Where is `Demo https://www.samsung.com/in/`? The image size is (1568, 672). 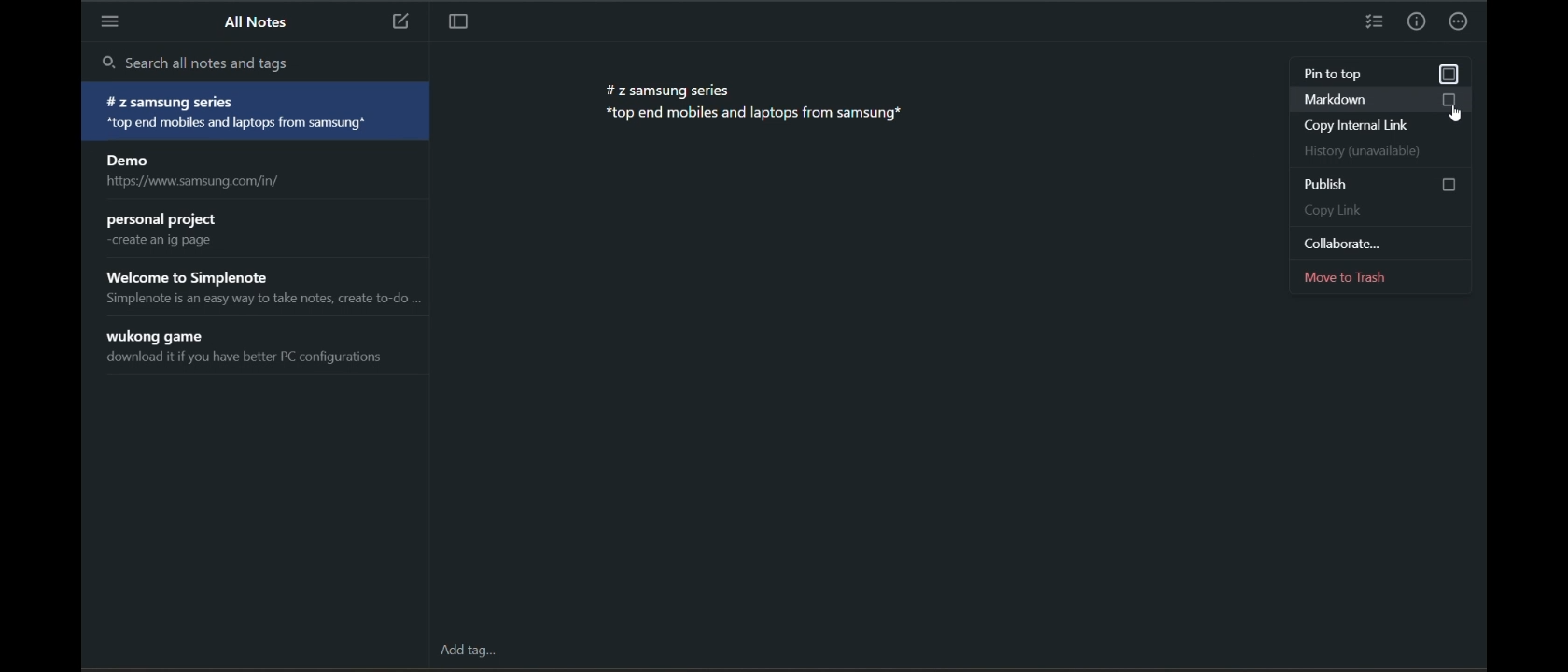
Demo https://www.samsung.com/in/ is located at coordinates (257, 172).